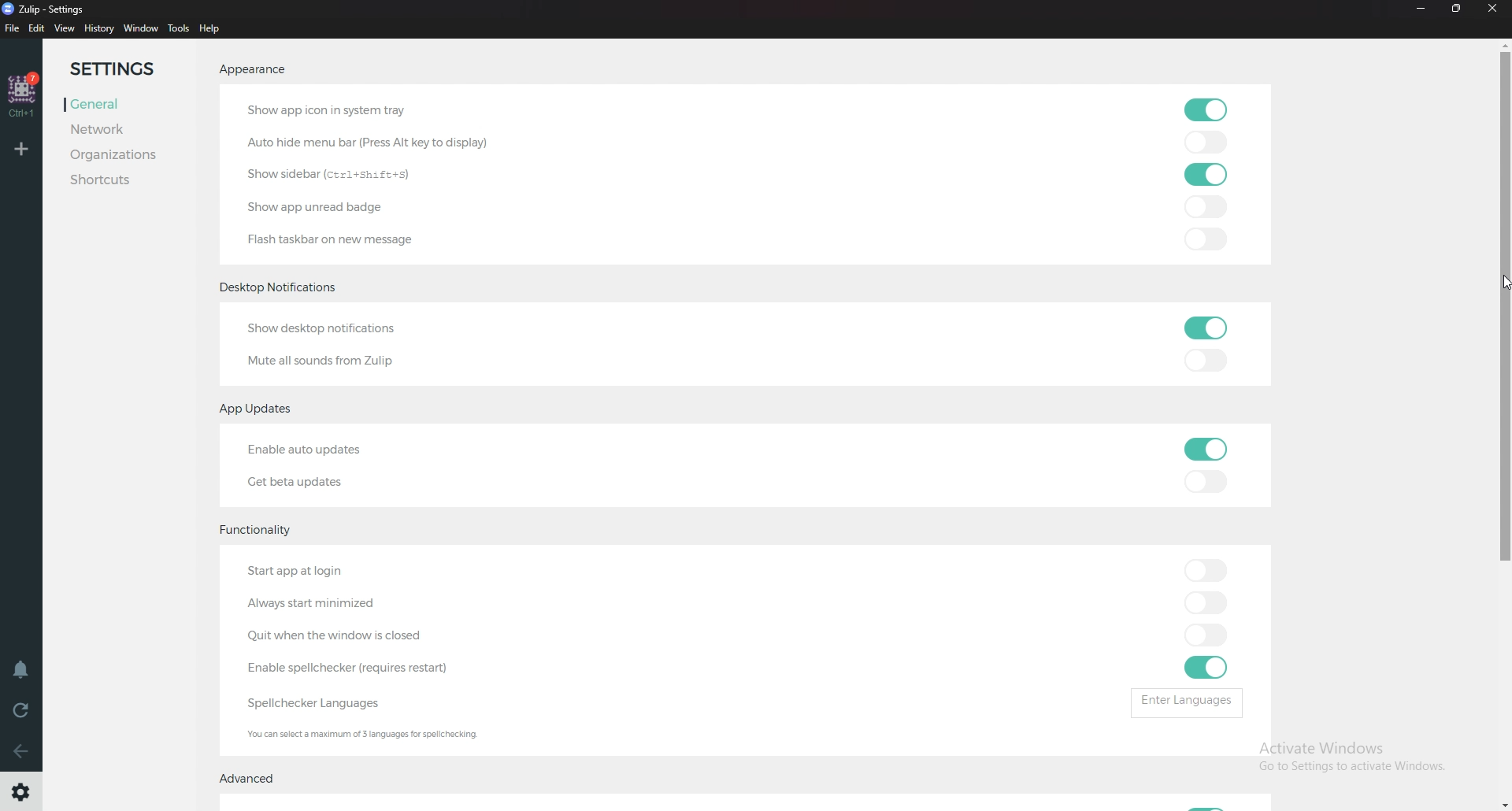 The width and height of the screenshot is (1512, 811). I want to click on Add organization, so click(20, 149).